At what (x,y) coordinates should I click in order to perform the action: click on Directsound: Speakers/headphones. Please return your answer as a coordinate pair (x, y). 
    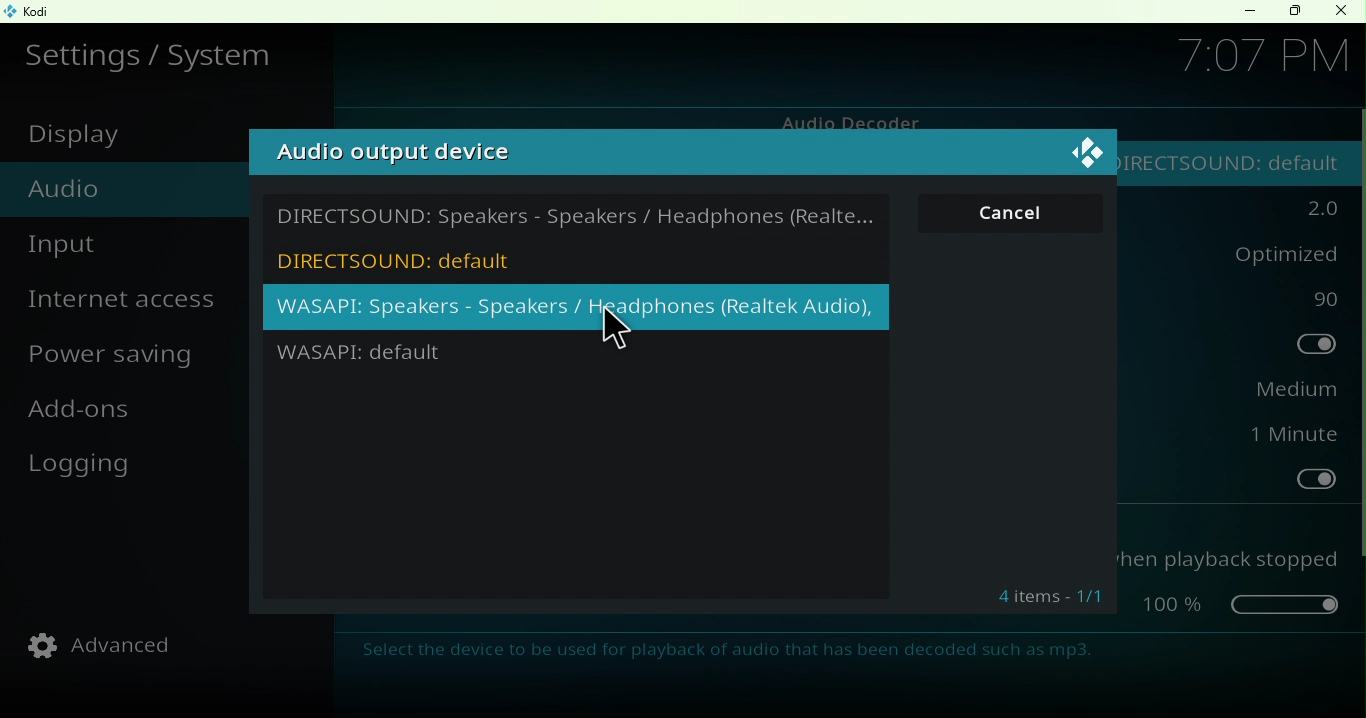
    Looking at the image, I should click on (576, 208).